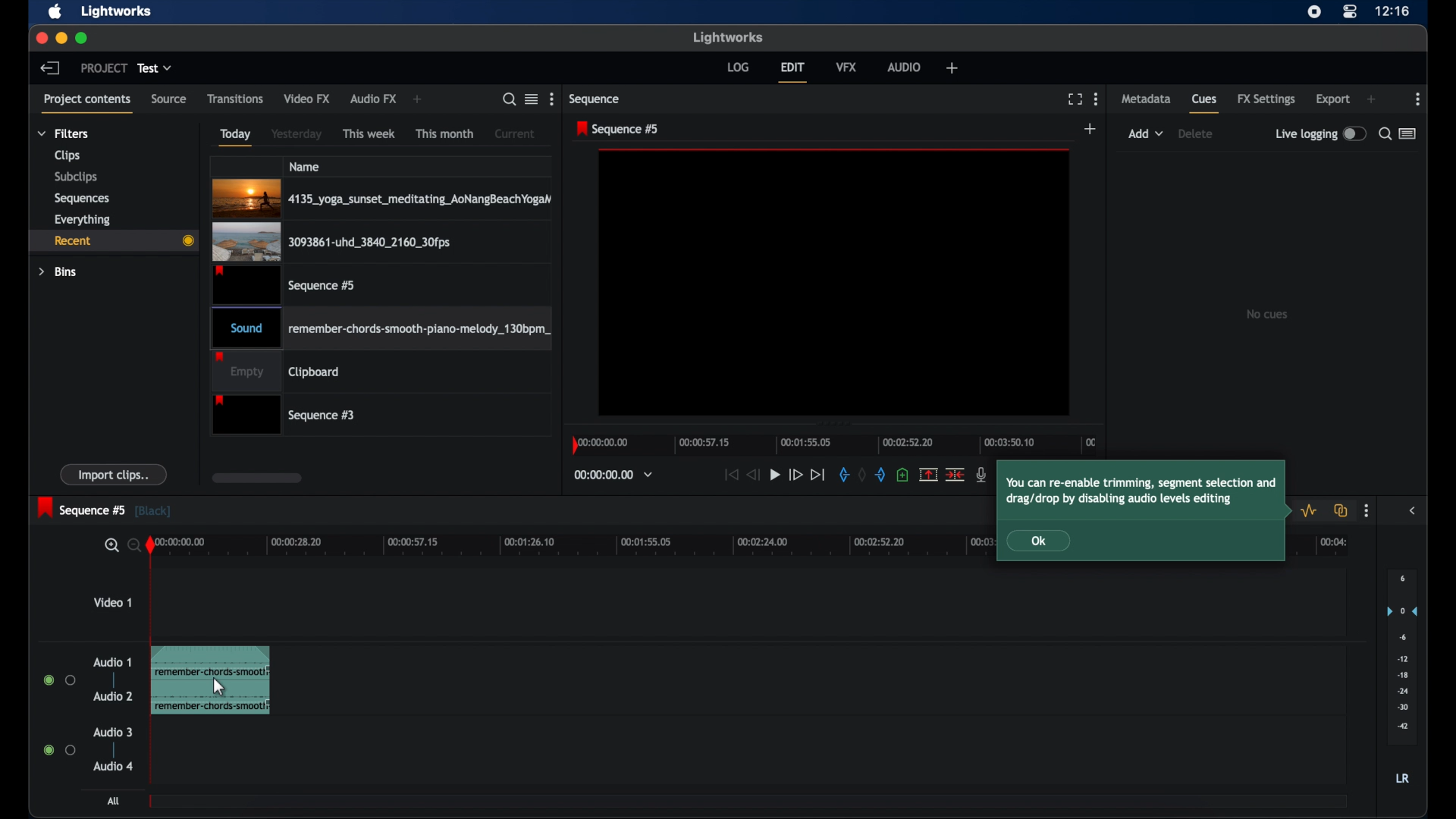 Image resolution: width=1456 pixels, height=819 pixels. What do you see at coordinates (1311, 510) in the screenshot?
I see `toggle audio levels editing` at bounding box center [1311, 510].